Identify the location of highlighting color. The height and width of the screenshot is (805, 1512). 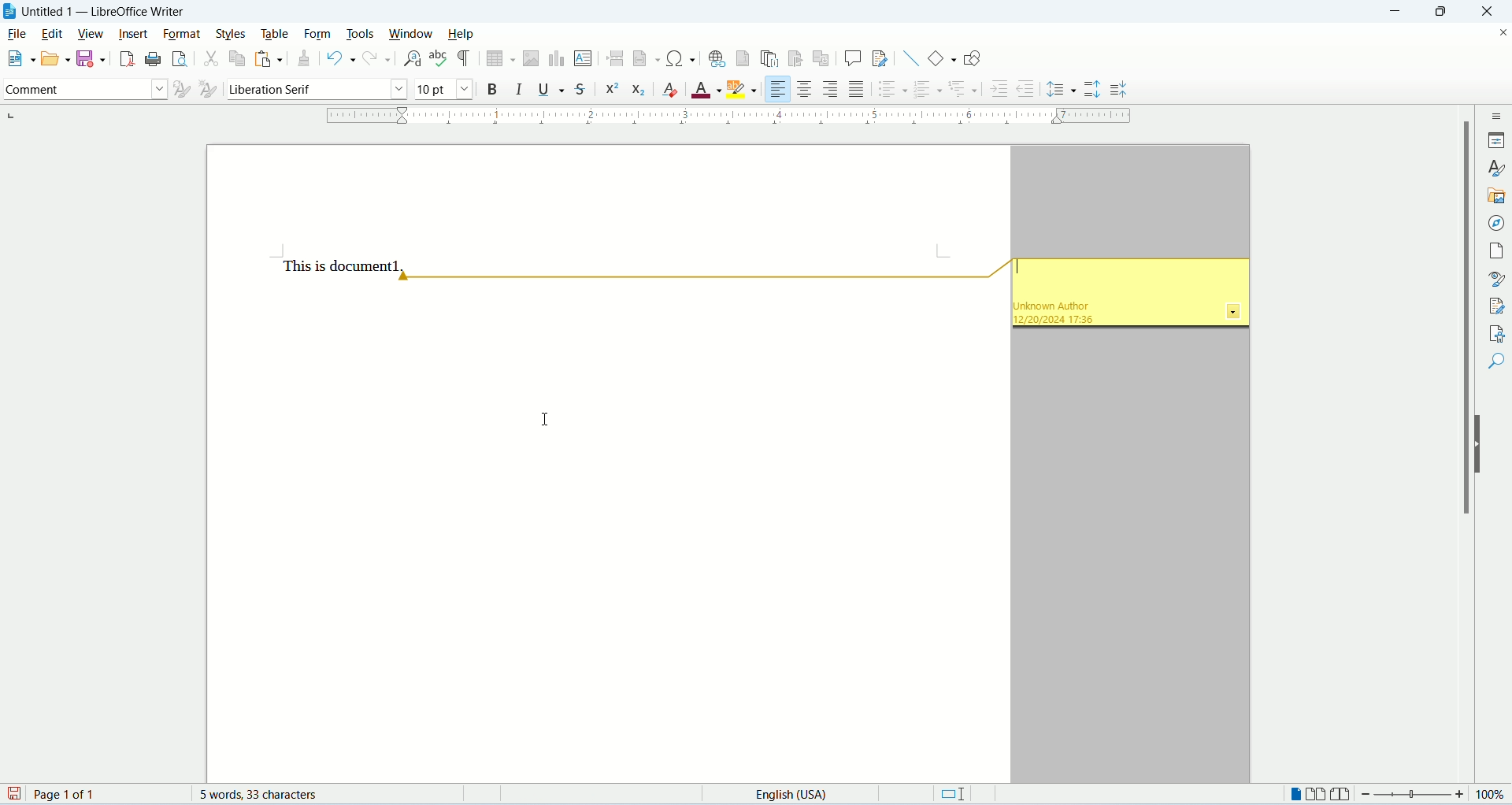
(744, 87).